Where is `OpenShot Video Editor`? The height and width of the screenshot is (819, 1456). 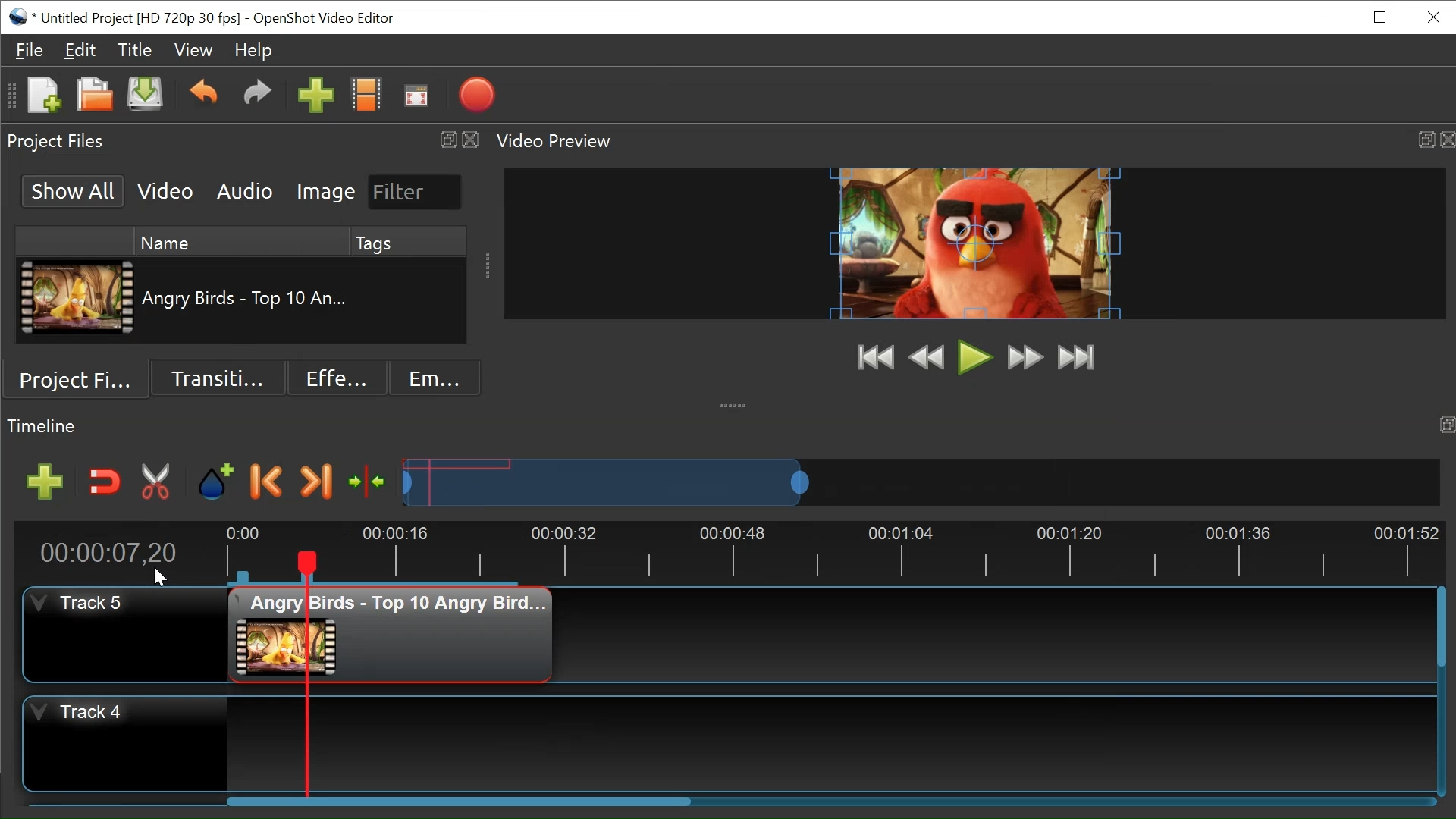 OpenShot Video Editor is located at coordinates (327, 20).